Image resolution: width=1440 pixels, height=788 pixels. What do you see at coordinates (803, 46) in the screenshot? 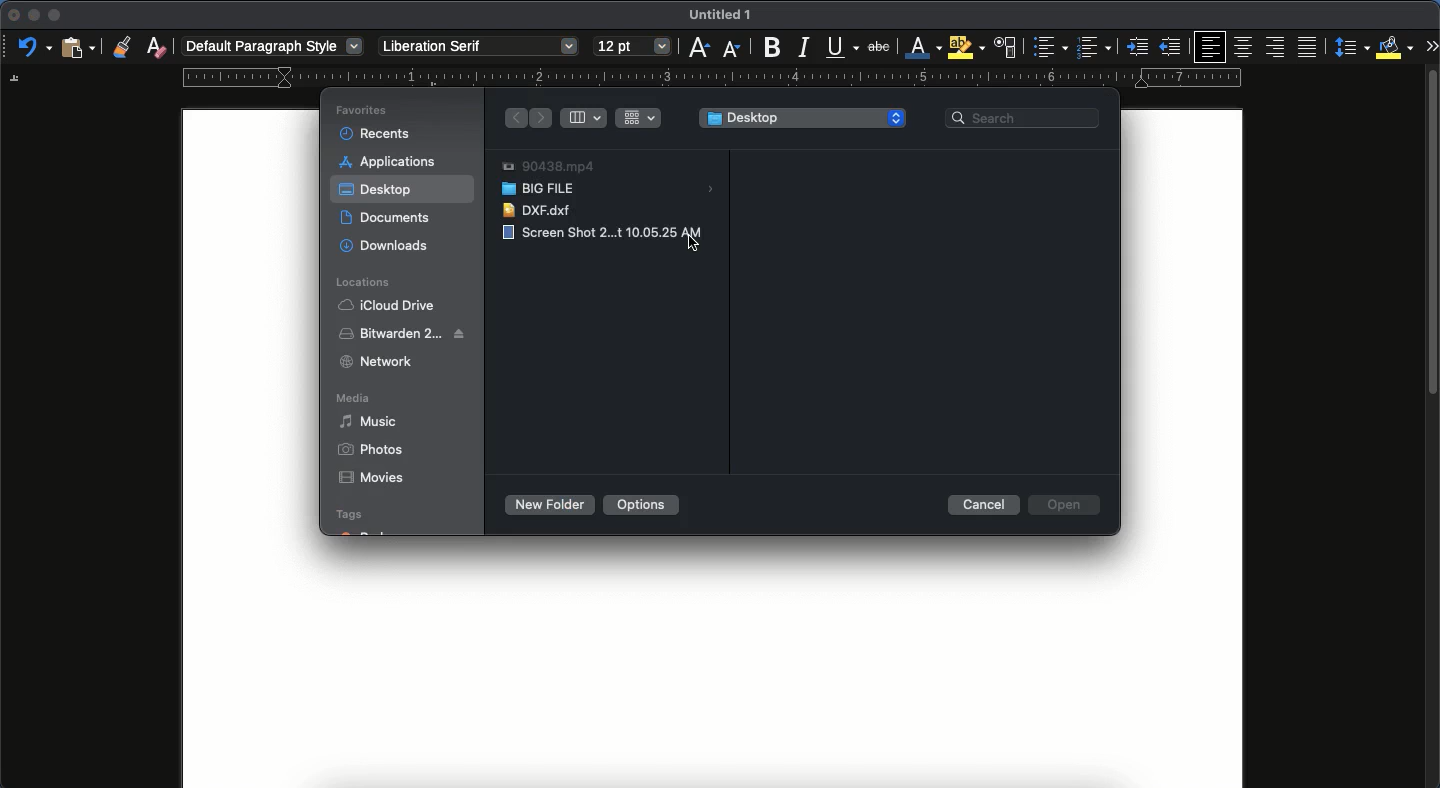
I see `italics` at bounding box center [803, 46].